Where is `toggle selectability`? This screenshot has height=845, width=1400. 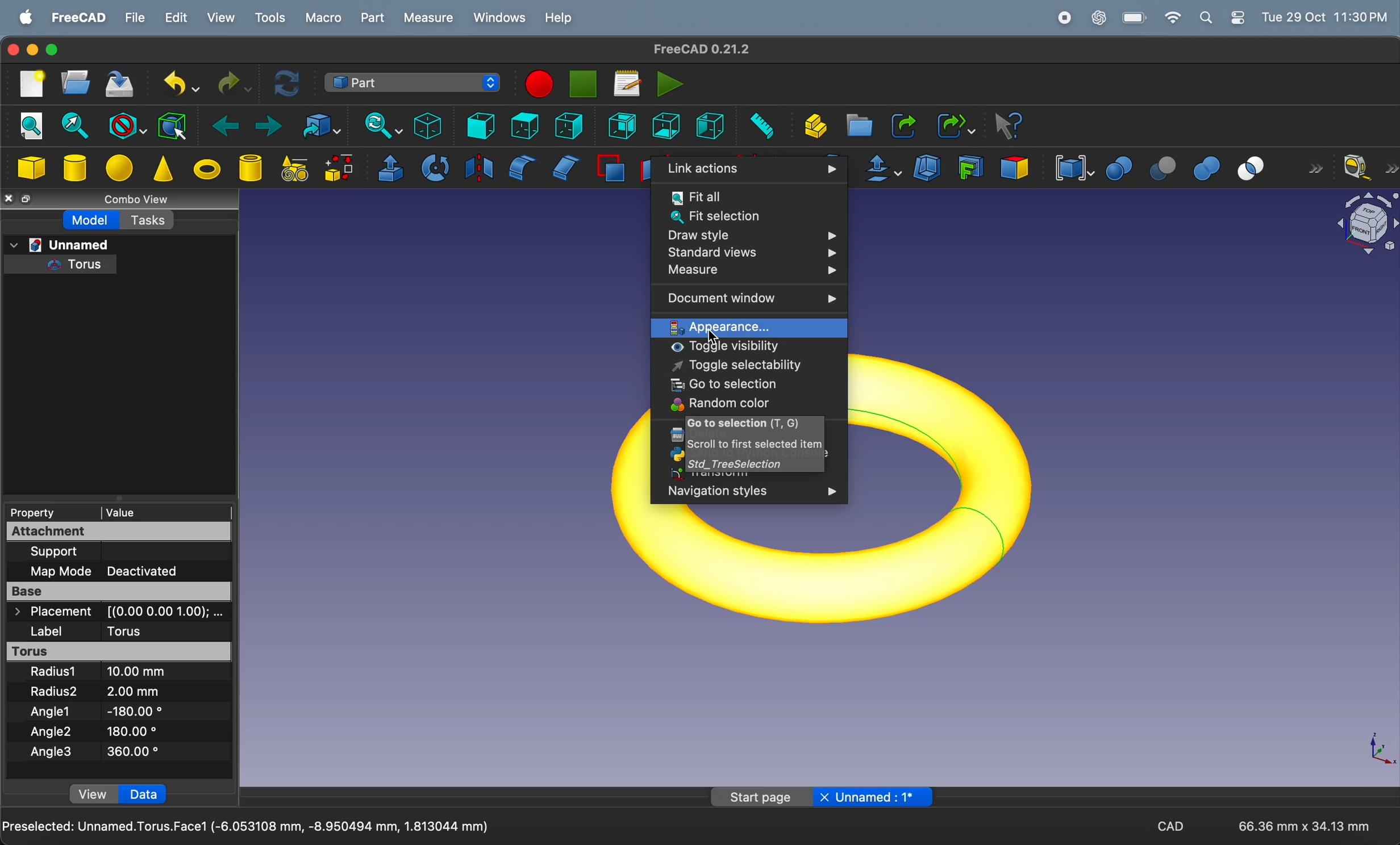
toggle selectability is located at coordinates (742, 366).